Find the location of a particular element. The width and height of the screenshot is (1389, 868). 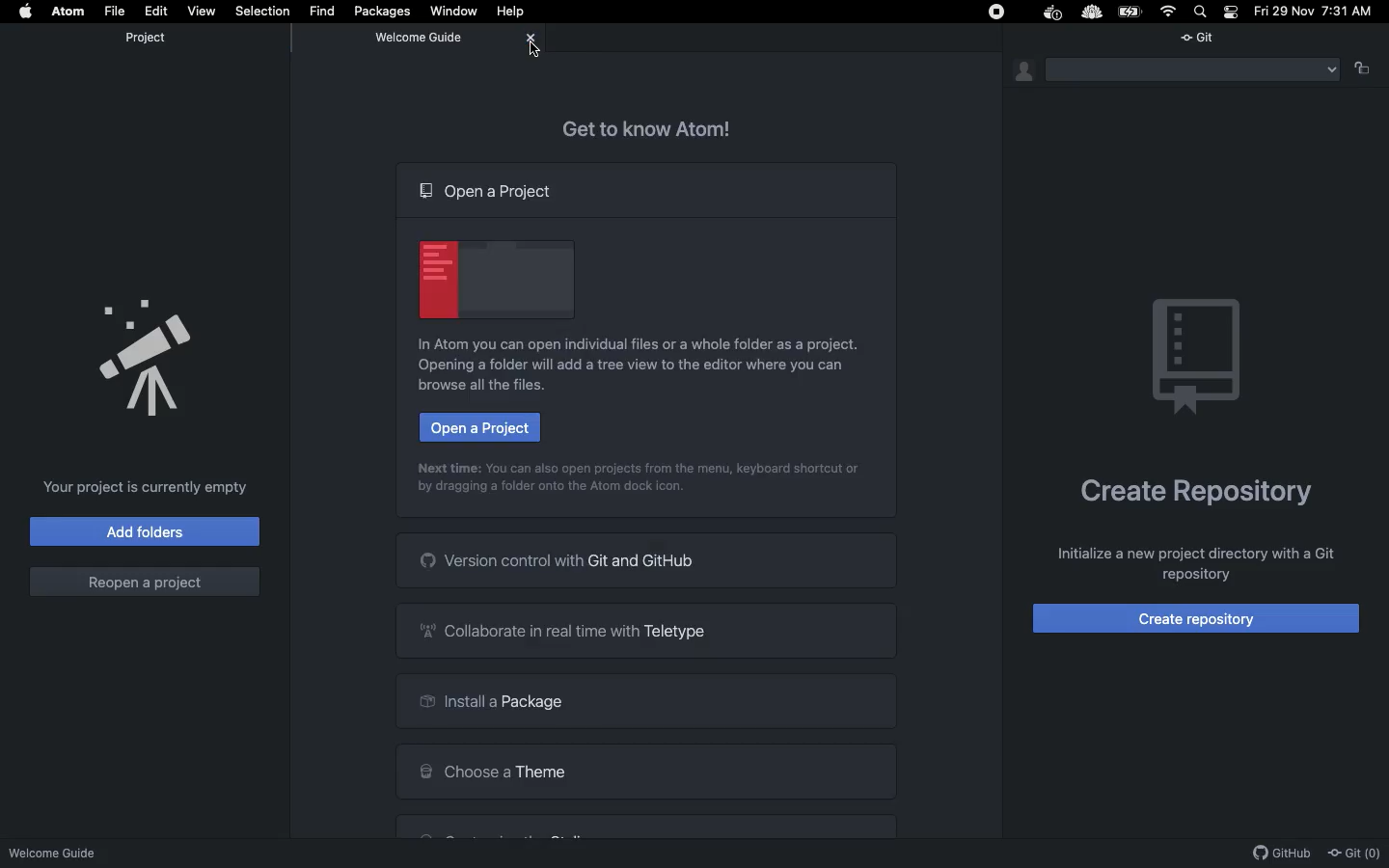

Create repository is located at coordinates (1197, 498).